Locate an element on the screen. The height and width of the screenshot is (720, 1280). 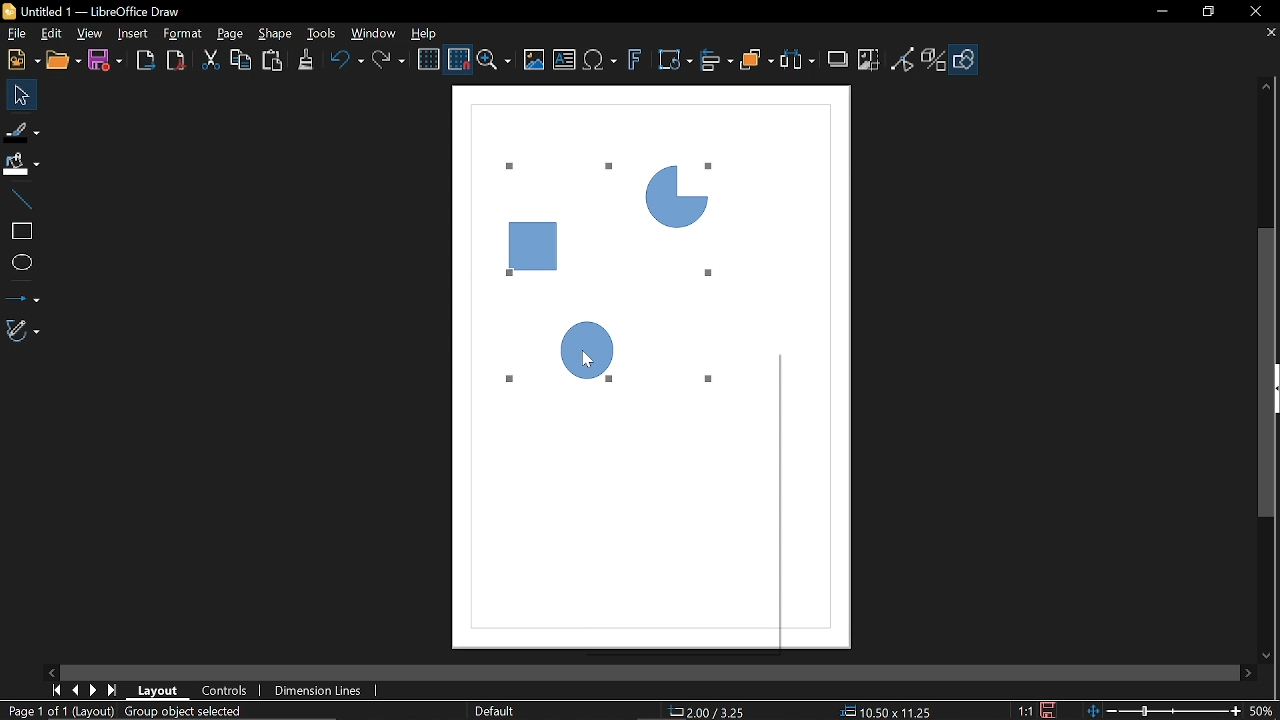
Move right is located at coordinates (1248, 673).